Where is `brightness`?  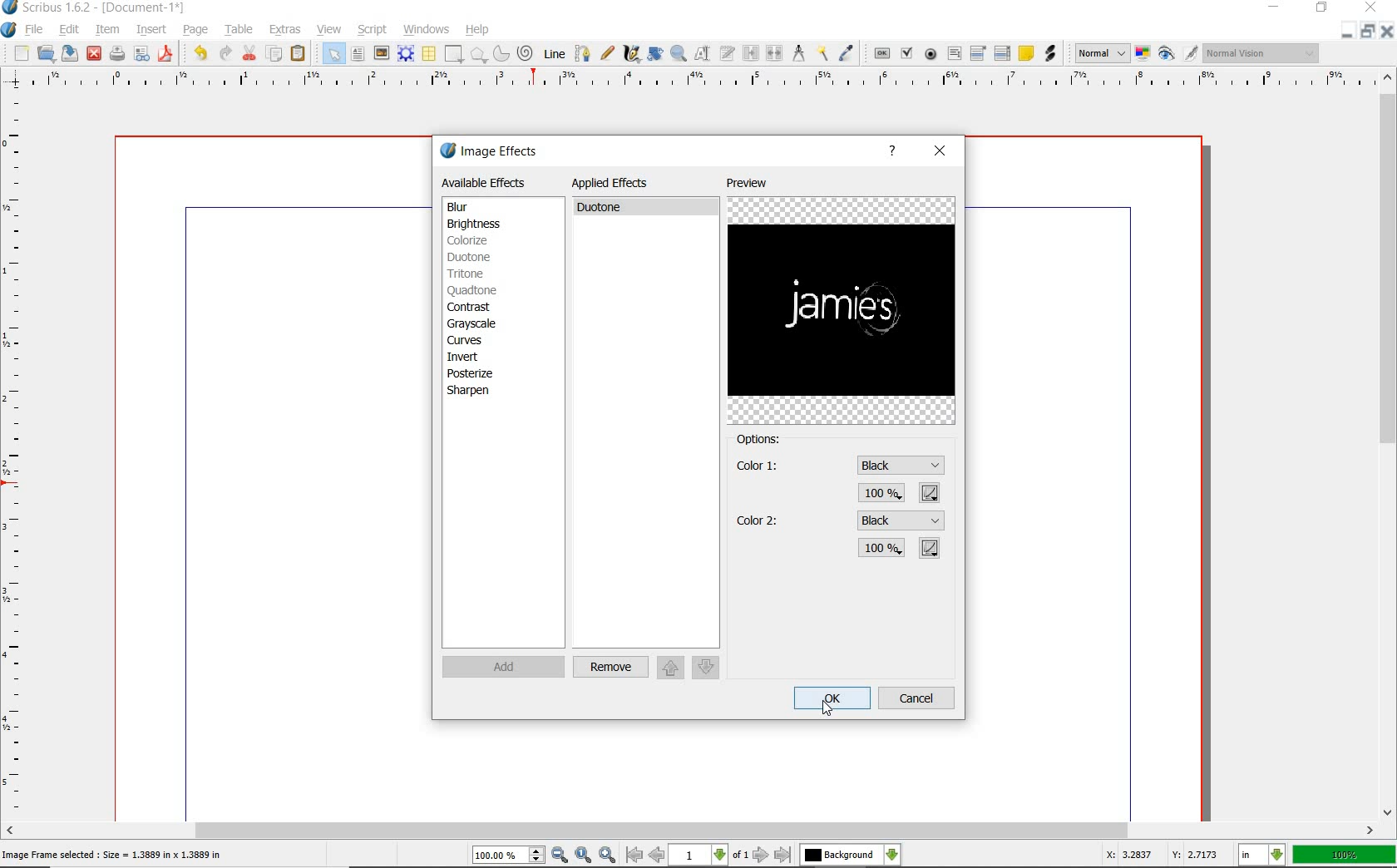
brightness is located at coordinates (481, 223).